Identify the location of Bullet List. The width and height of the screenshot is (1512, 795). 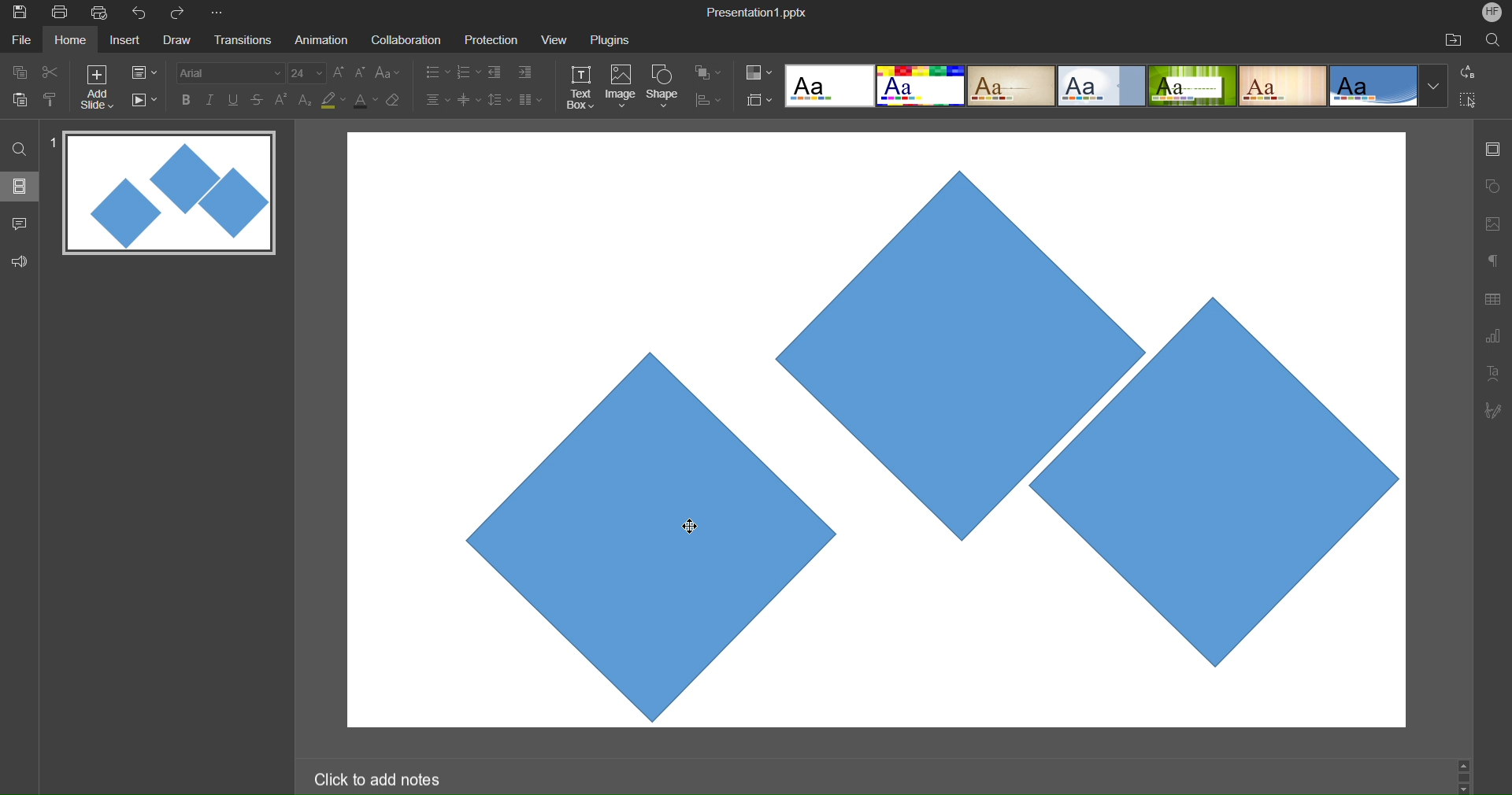
(436, 73).